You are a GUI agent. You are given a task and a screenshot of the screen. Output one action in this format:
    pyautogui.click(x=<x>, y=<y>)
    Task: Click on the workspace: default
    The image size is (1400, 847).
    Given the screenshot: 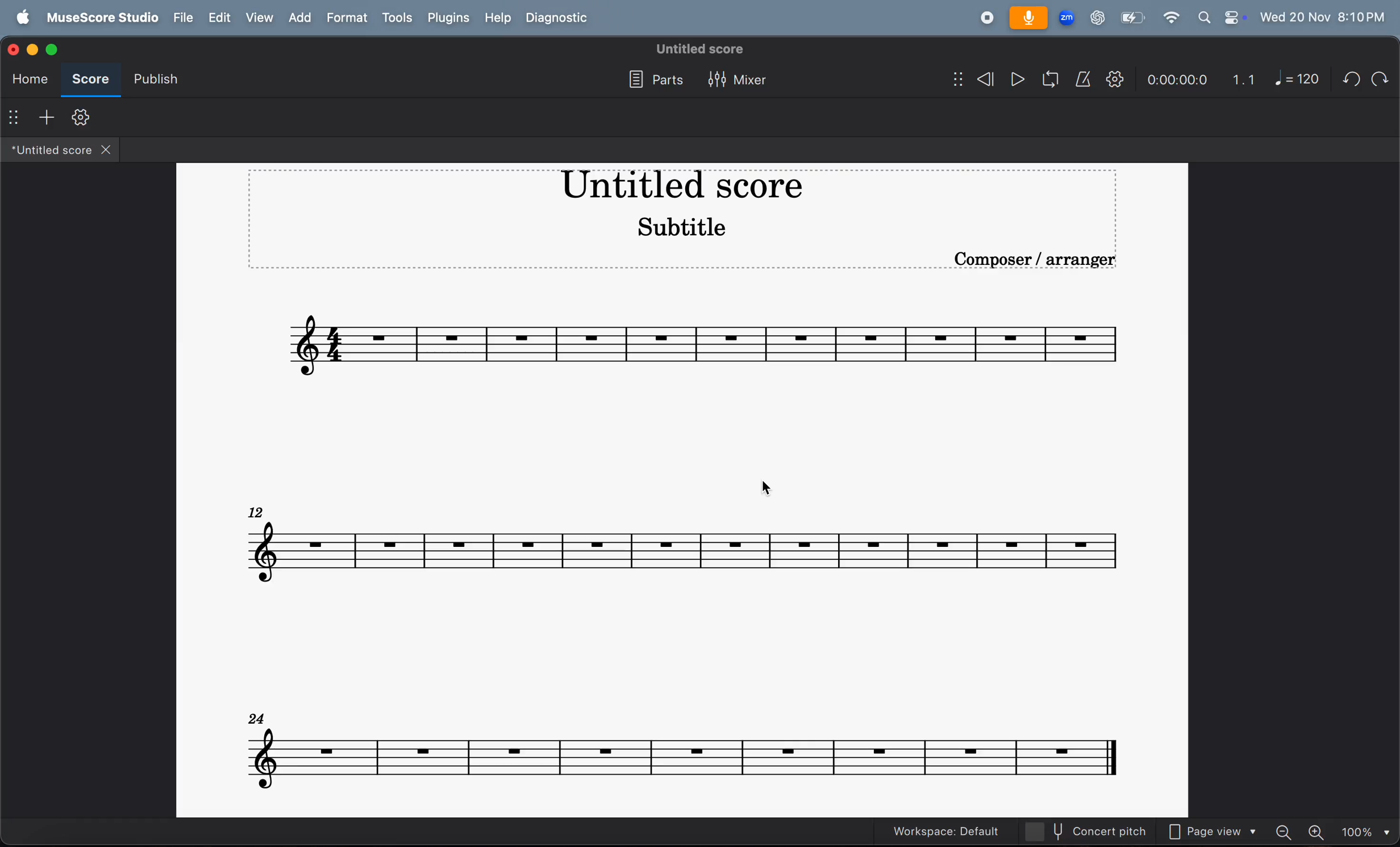 What is the action you would take?
    pyautogui.click(x=942, y=829)
    